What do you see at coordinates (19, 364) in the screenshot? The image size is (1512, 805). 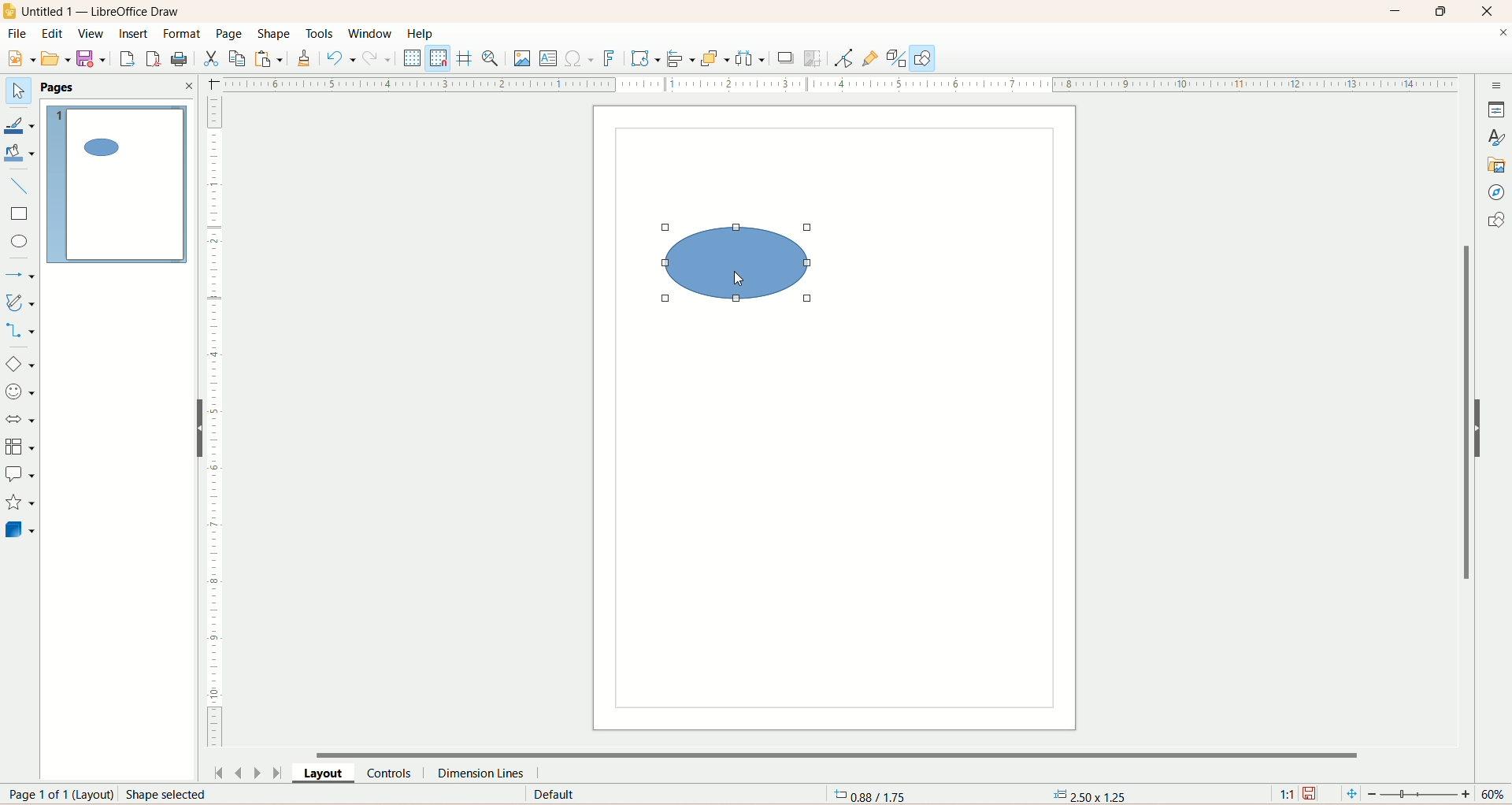 I see `basic shapes` at bounding box center [19, 364].